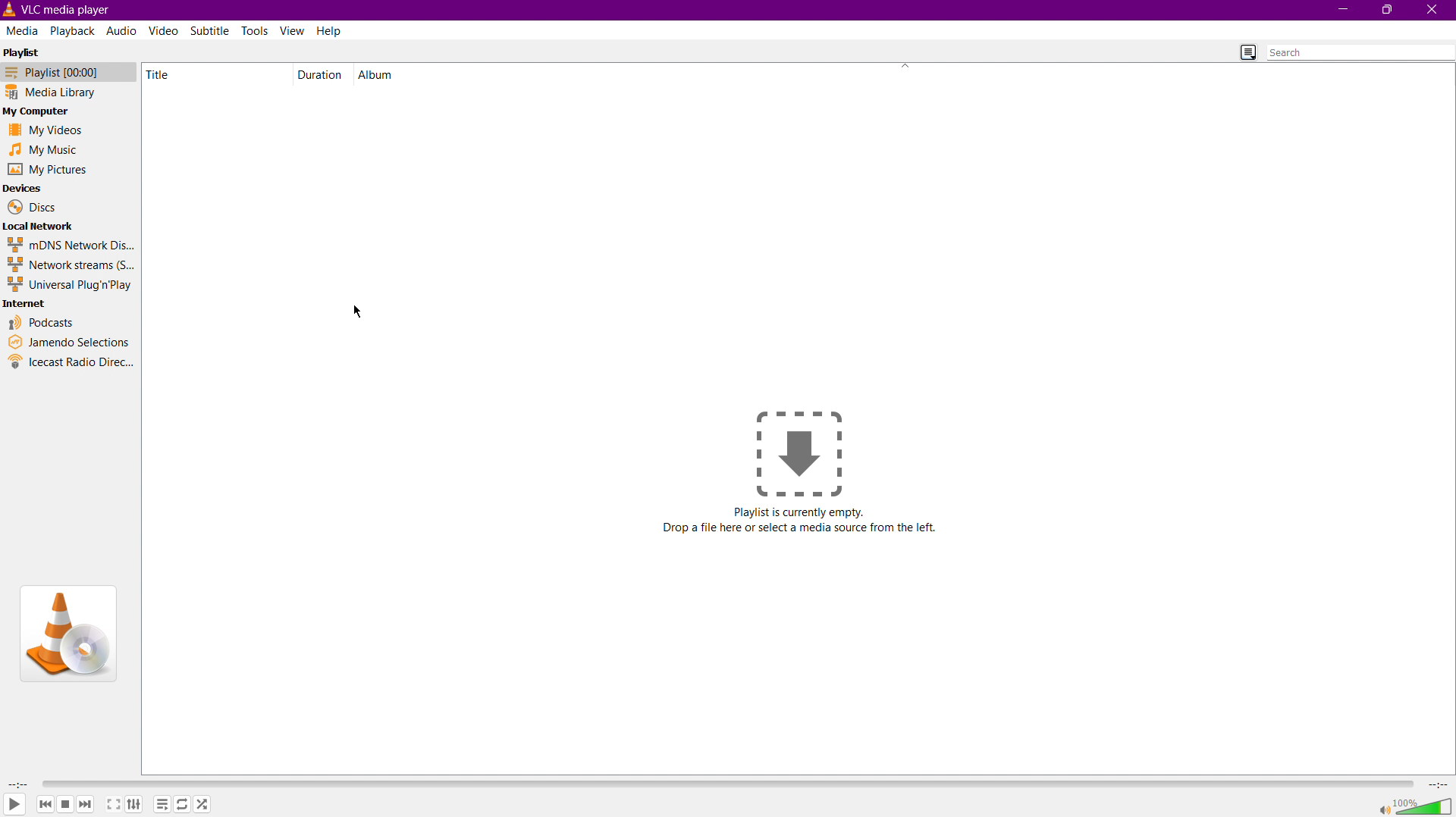 The height and width of the screenshot is (817, 1456). I want to click on My Pictures, so click(46, 171).